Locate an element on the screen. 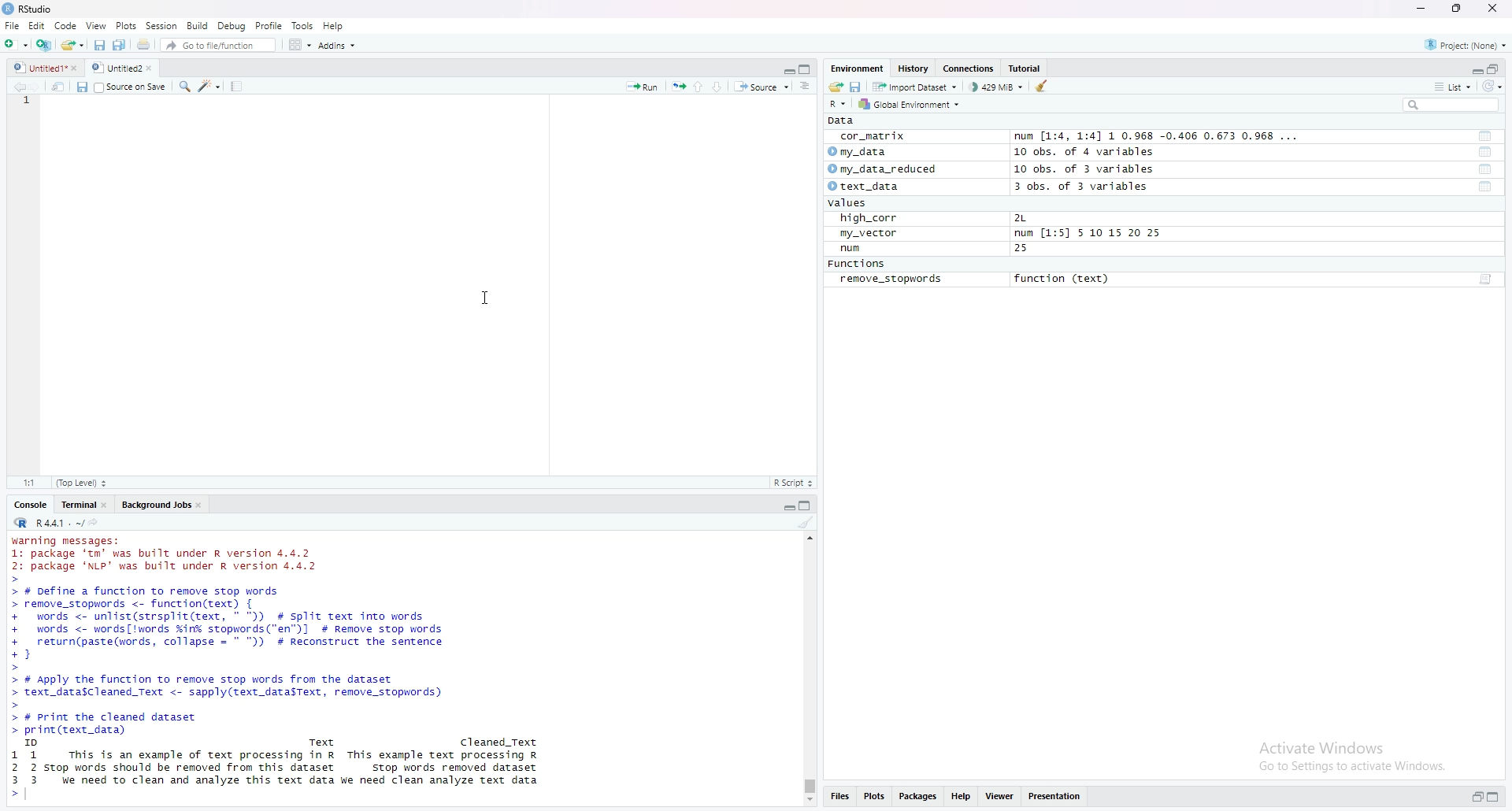 The width and height of the screenshot is (1512, 811). Build is located at coordinates (195, 27).